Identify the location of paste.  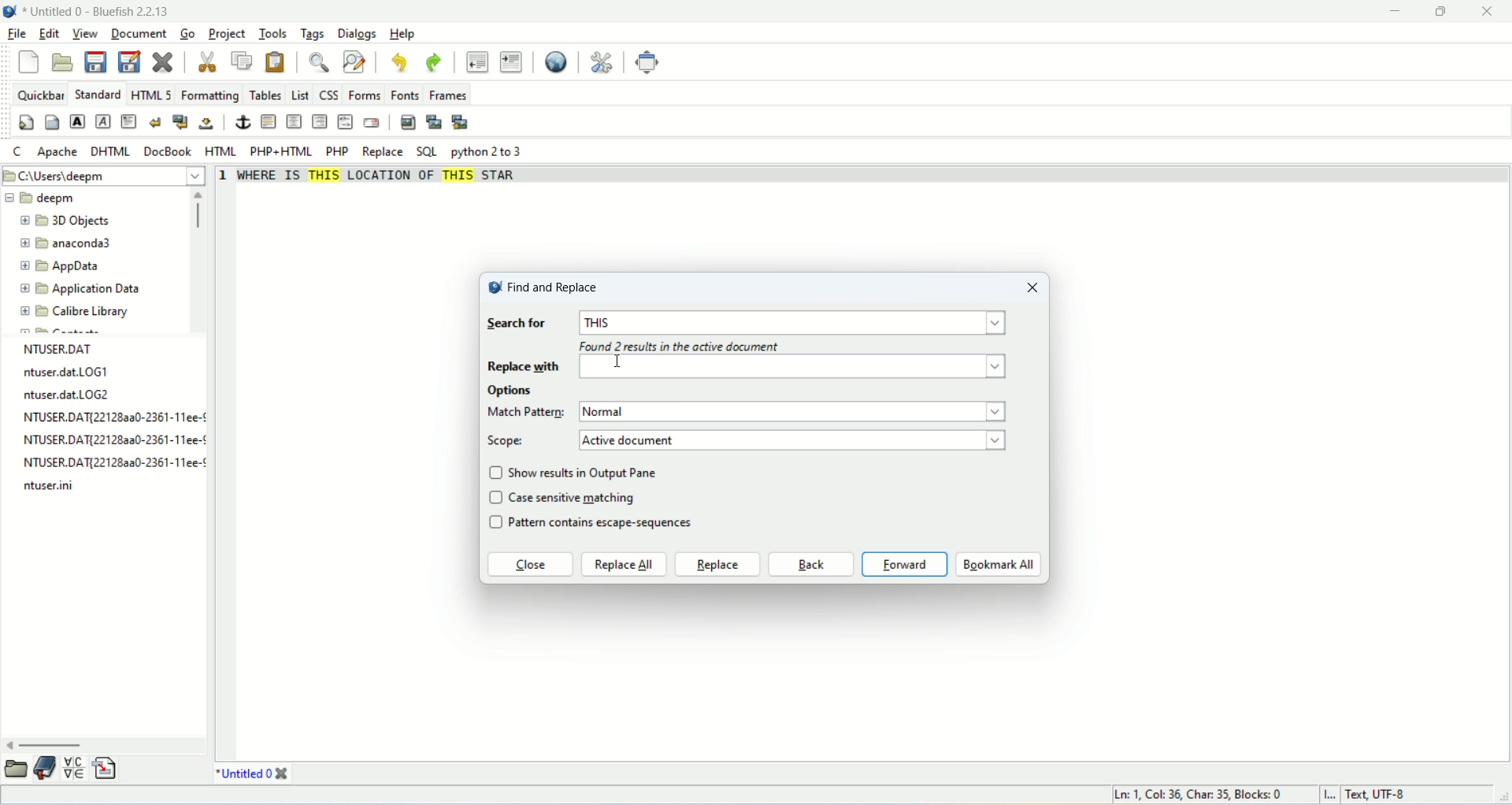
(276, 62).